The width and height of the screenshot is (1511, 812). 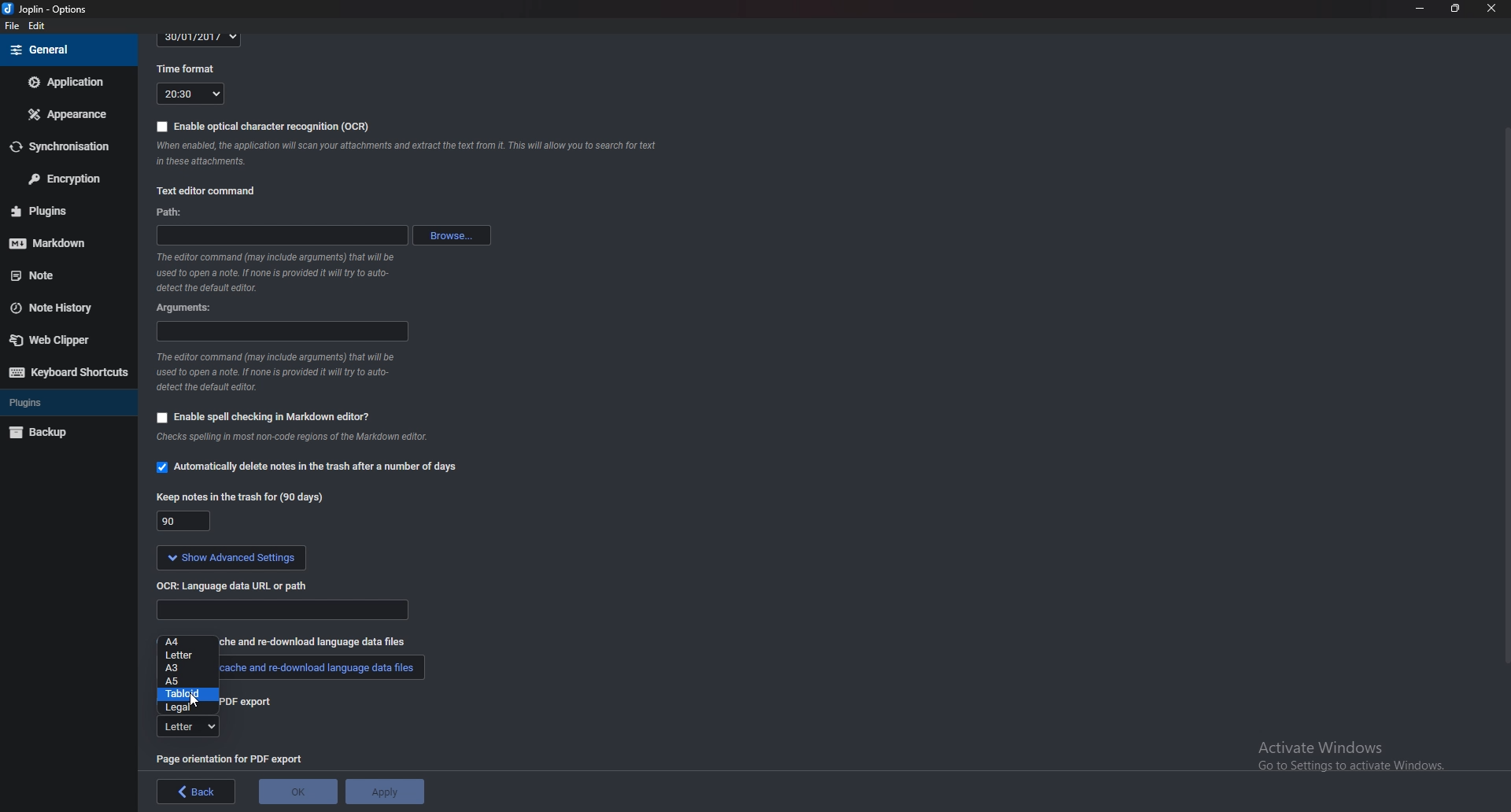 I want to click on cursor, so click(x=196, y=699).